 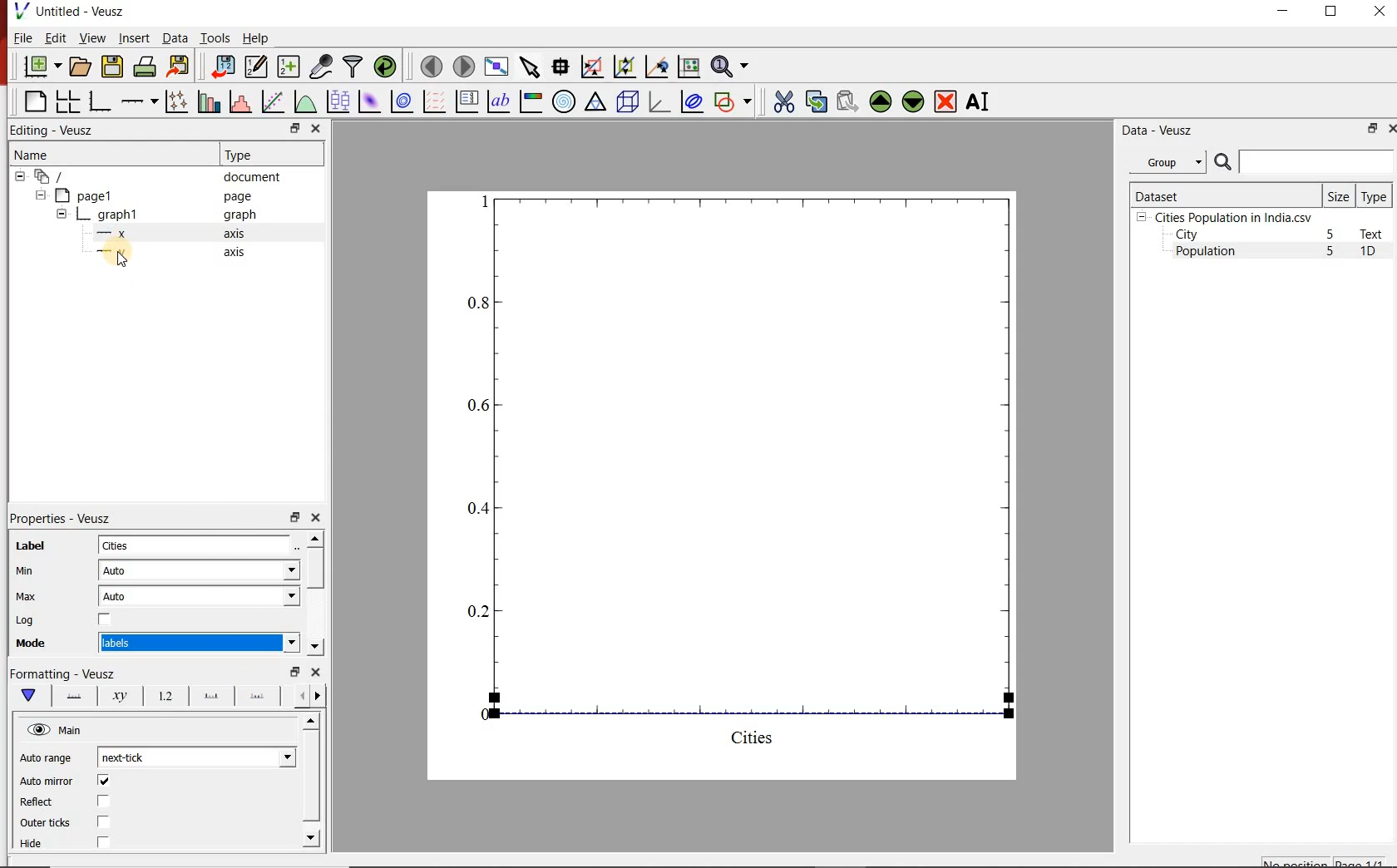 I want to click on 3d scene, so click(x=626, y=101).